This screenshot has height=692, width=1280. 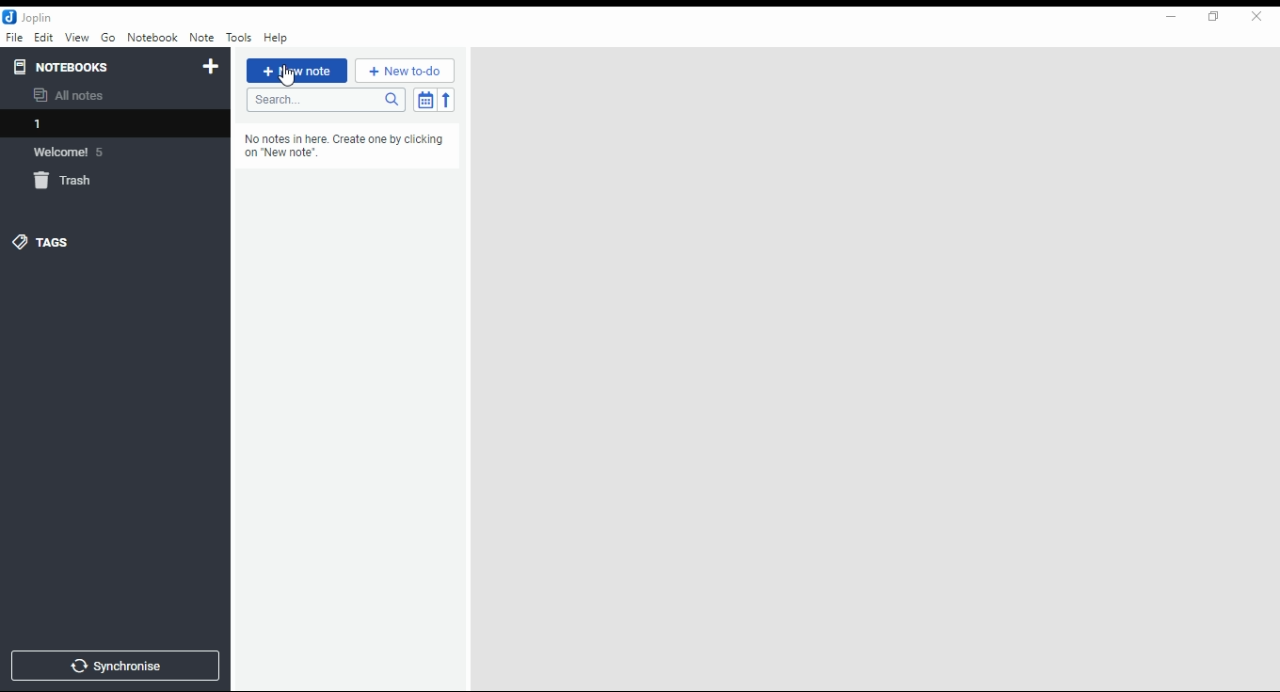 What do you see at coordinates (68, 93) in the screenshot?
I see `all notes` at bounding box center [68, 93].